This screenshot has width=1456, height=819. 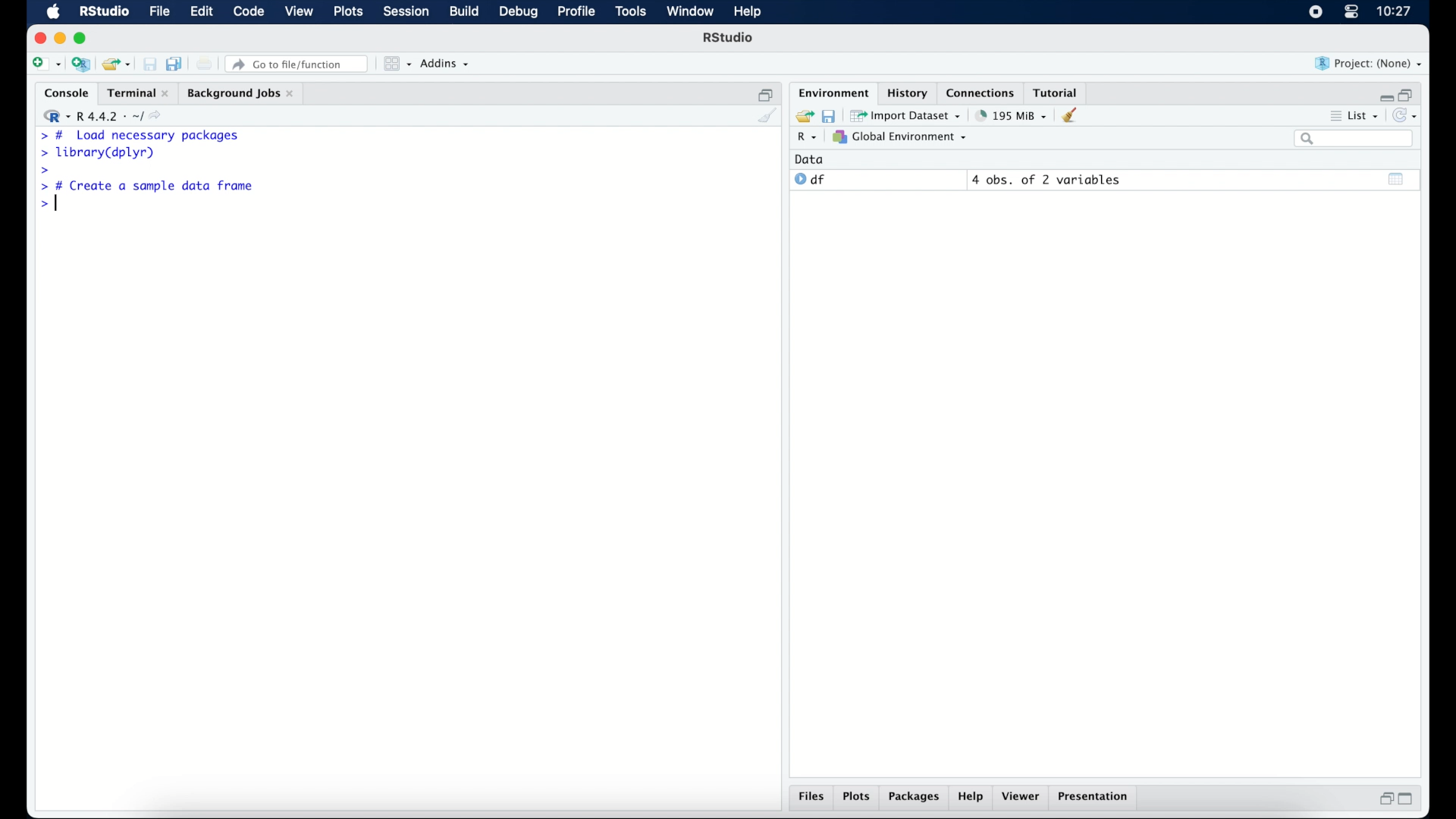 I want to click on edit, so click(x=200, y=12).